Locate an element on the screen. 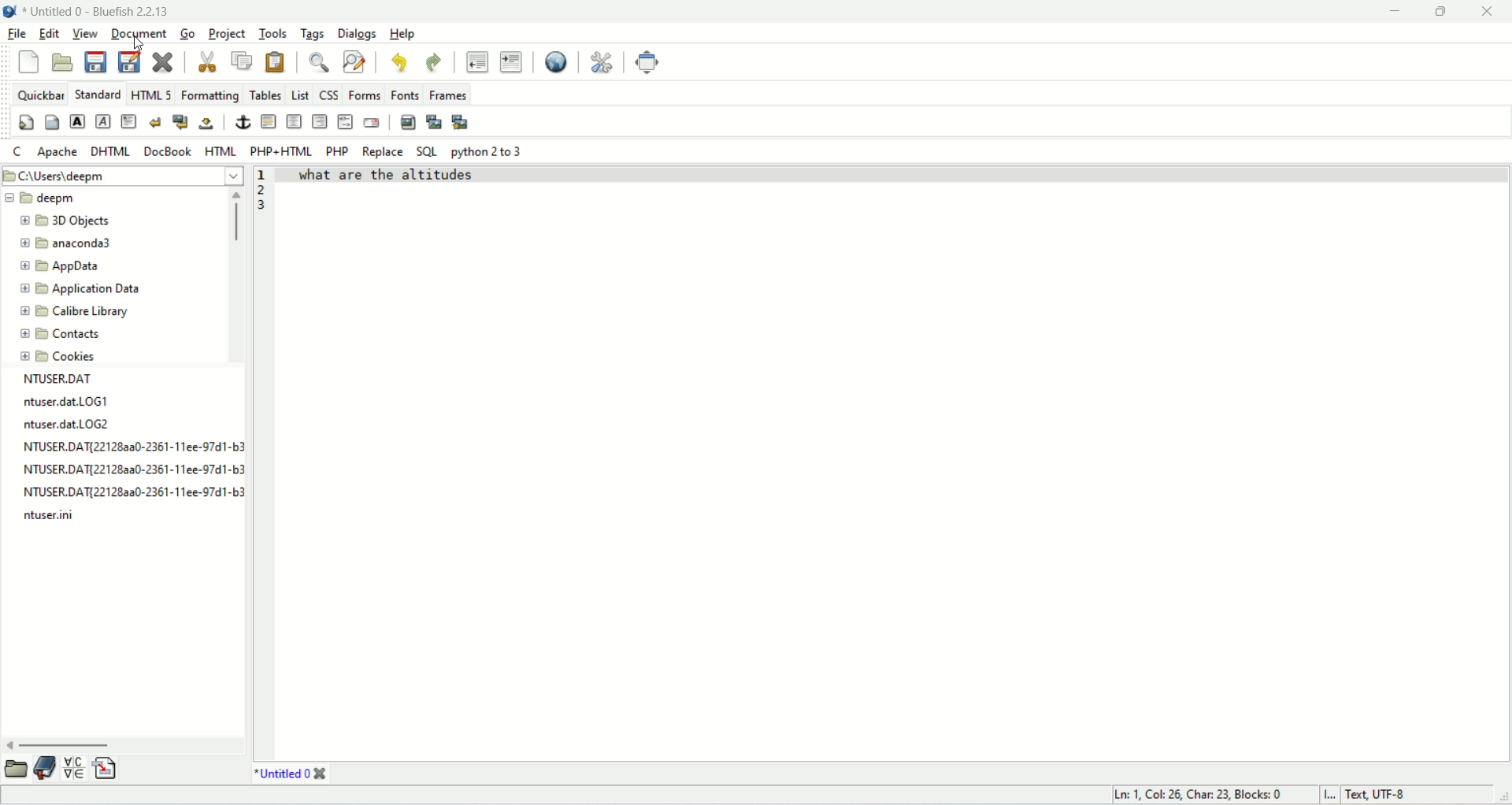 This screenshot has height=805, width=1512. fullscreen is located at coordinates (649, 61).